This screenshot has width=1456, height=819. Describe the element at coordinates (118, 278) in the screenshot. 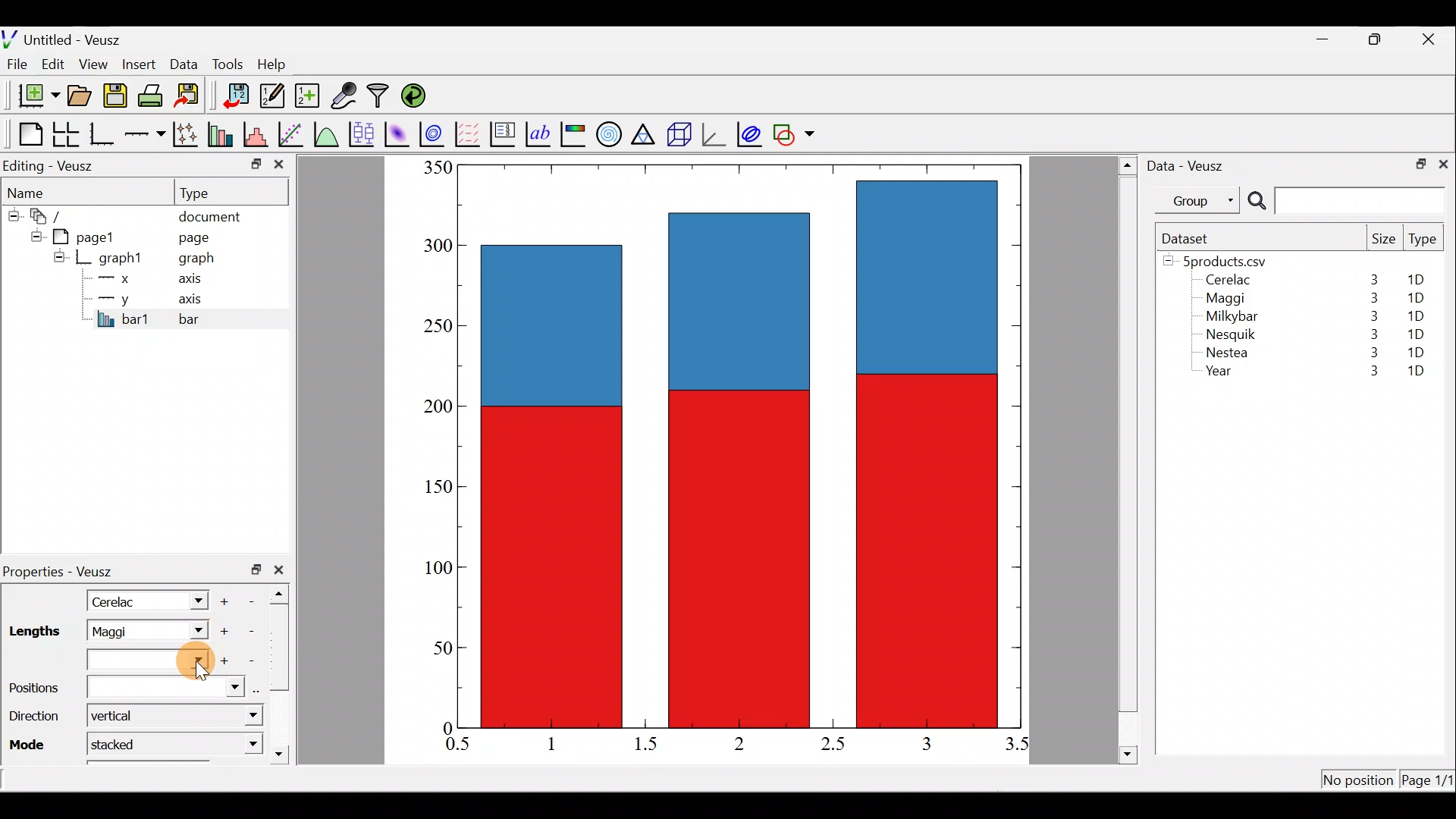

I see `x` at that location.